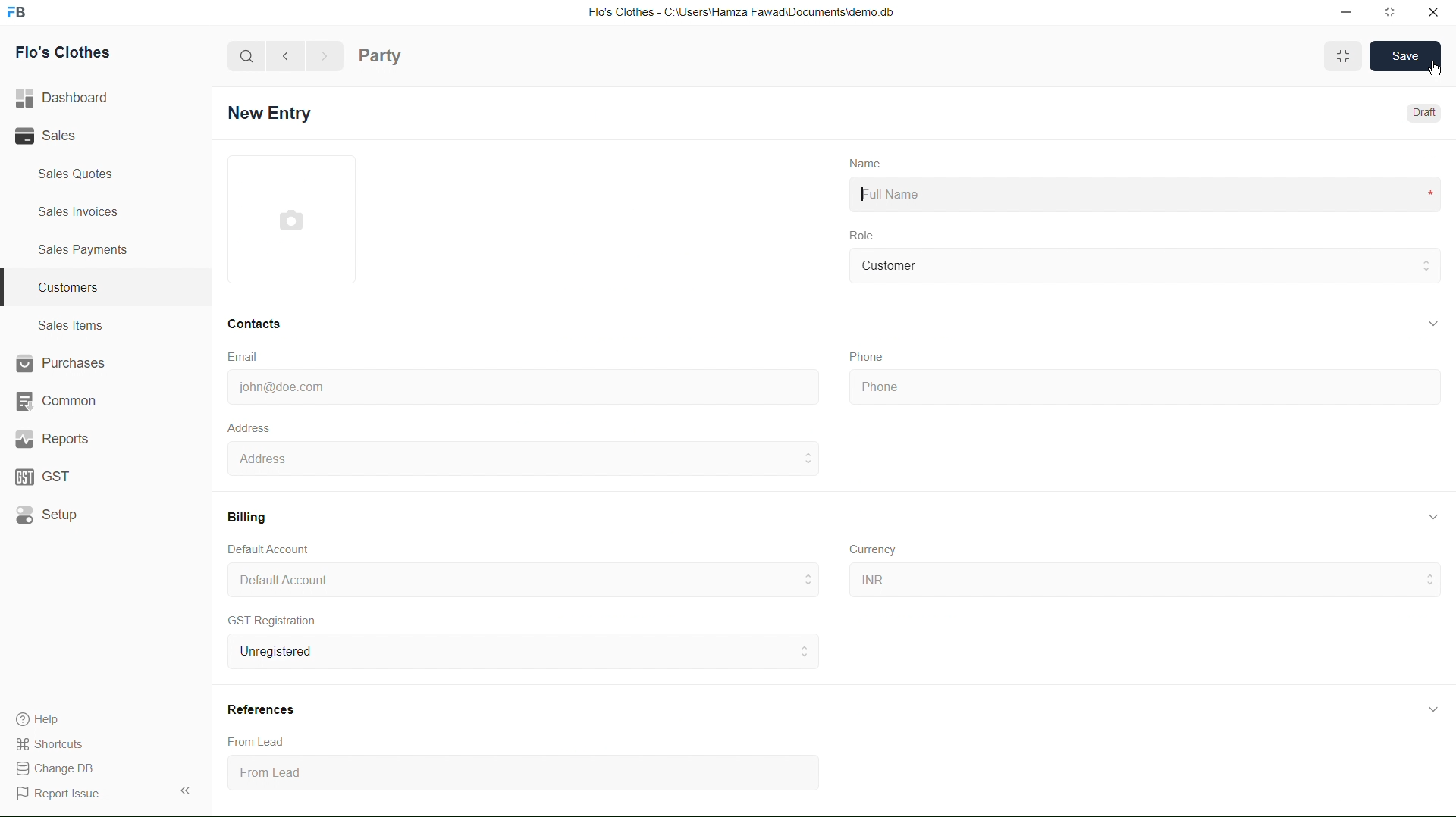 The image size is (1456, 817). Describe the element at coordinates (273, 549) in the screenshot. I see `Default Account` at that location.